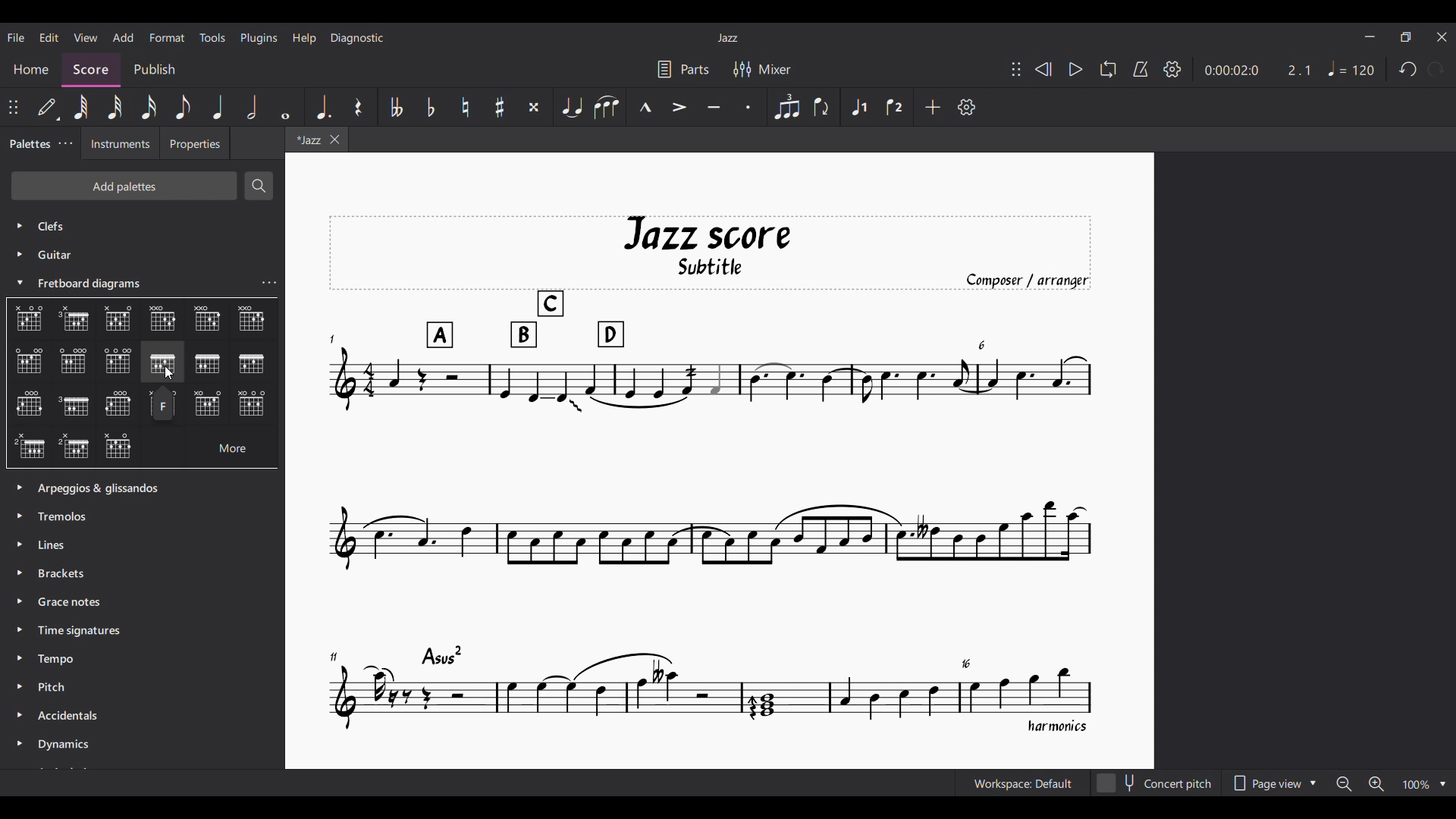  Describe the element at coordinates (212, 37) in the screenshot. I see `Tools menu` at that location.